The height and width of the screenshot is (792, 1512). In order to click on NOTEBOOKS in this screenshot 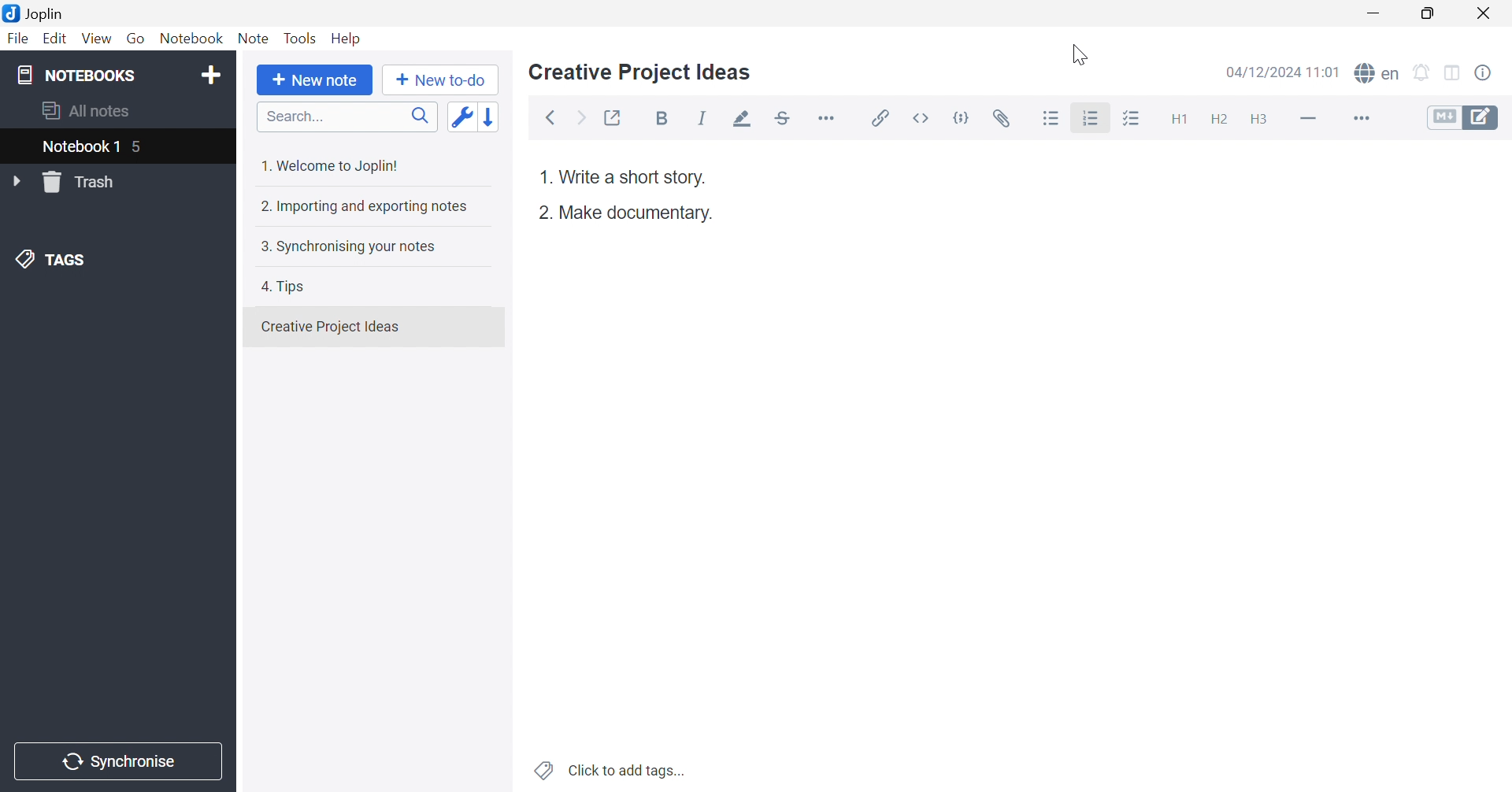, I will do `click(79, 76)`.